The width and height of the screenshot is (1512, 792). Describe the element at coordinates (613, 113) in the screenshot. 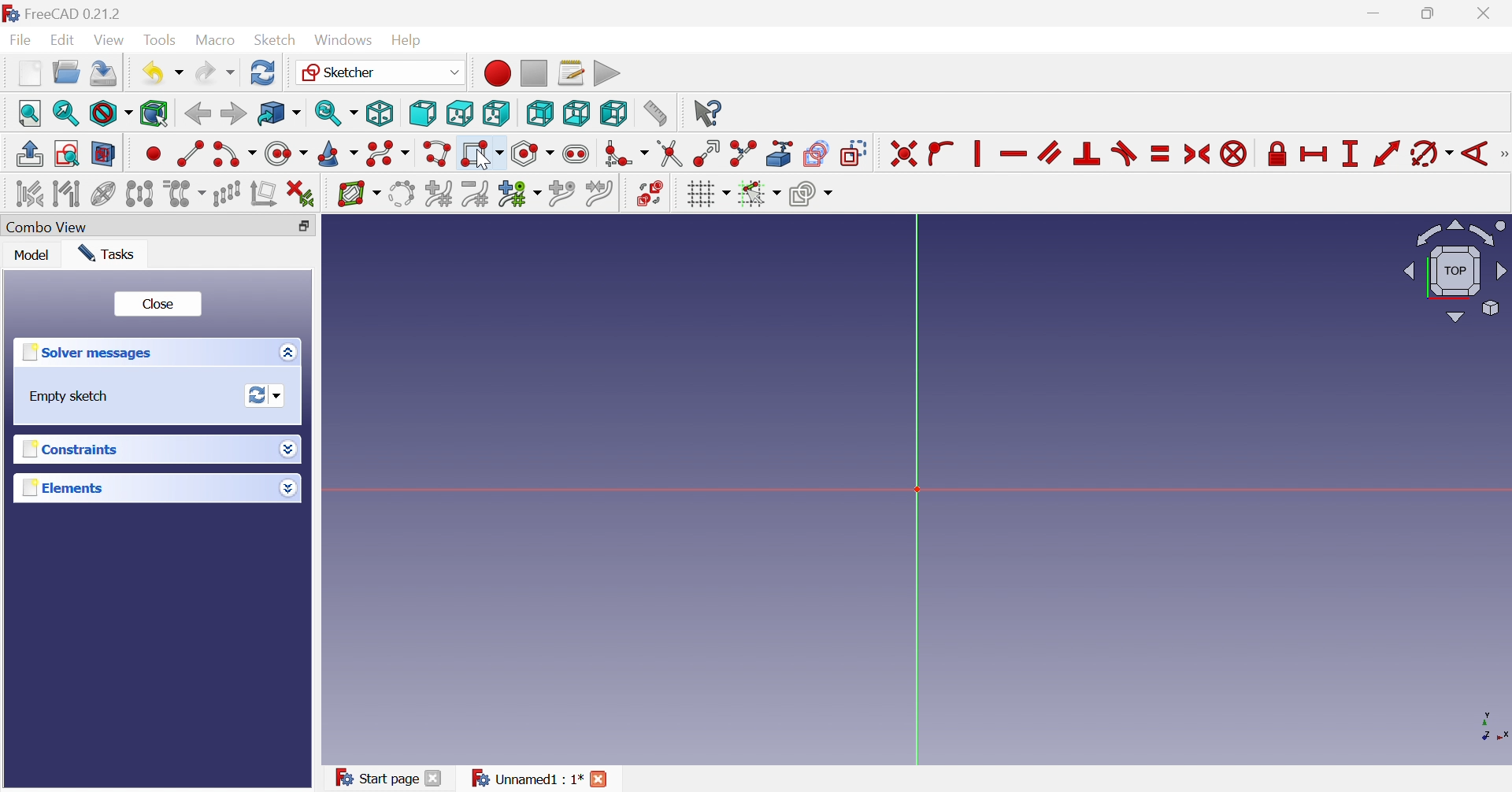

I see `Left` at that location.